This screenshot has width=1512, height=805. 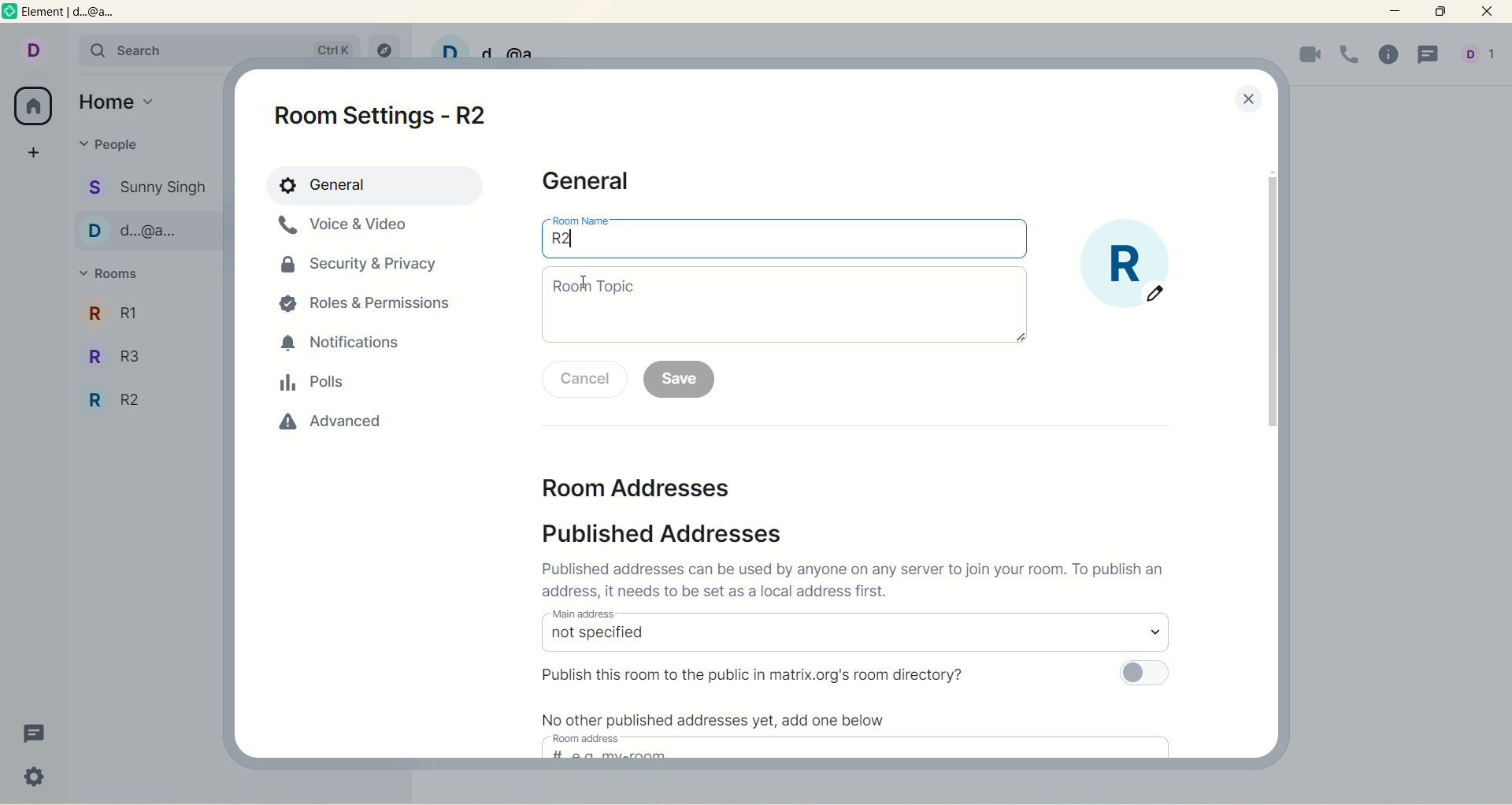 What do you see at coordinates (1482, 55) in the screenshot?
I see `account` at bounding box center [1482, 55].